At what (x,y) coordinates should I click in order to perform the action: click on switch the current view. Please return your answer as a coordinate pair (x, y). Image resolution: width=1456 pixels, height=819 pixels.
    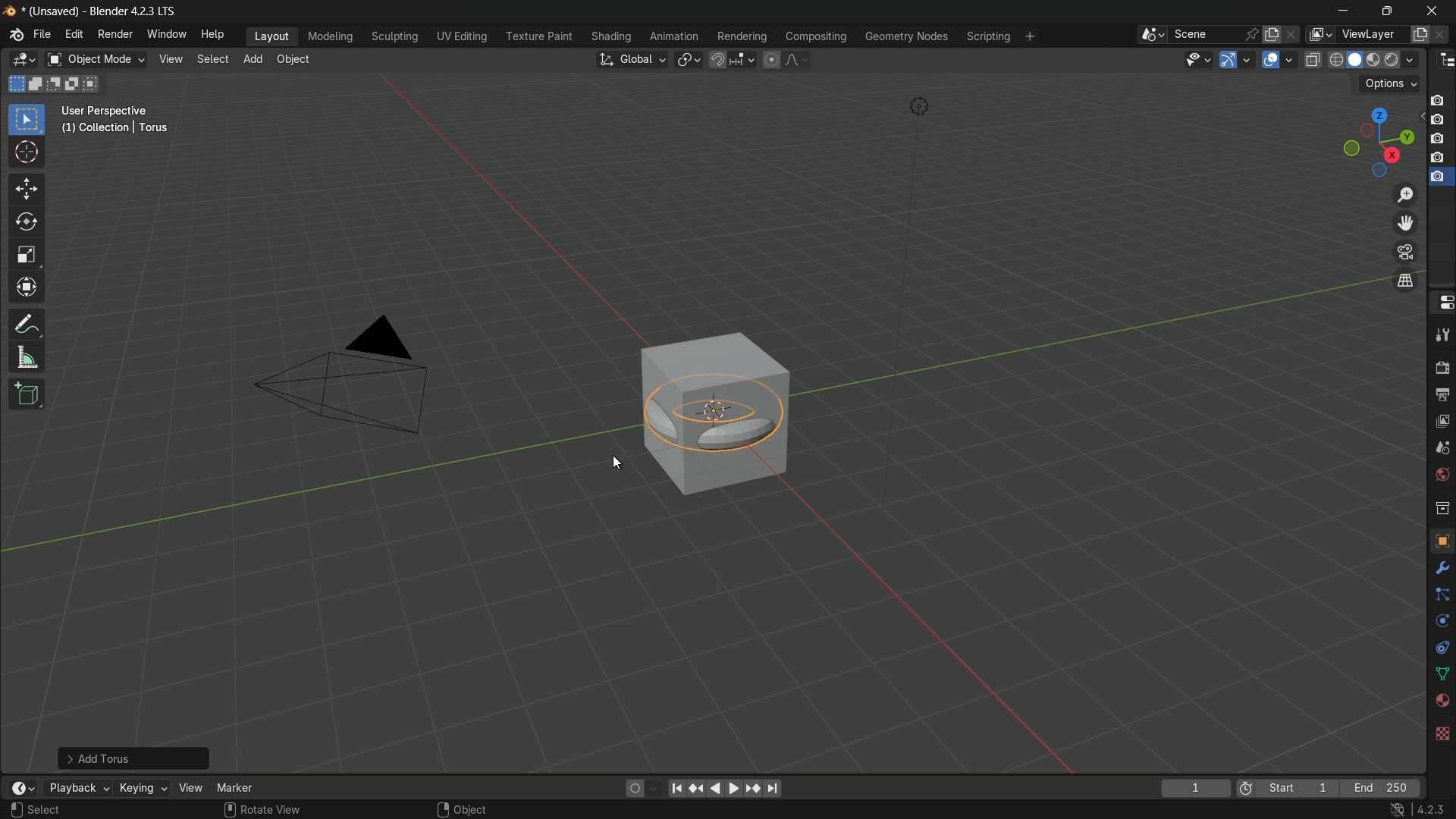
    Looking at the image, I should click on (1404, 280).